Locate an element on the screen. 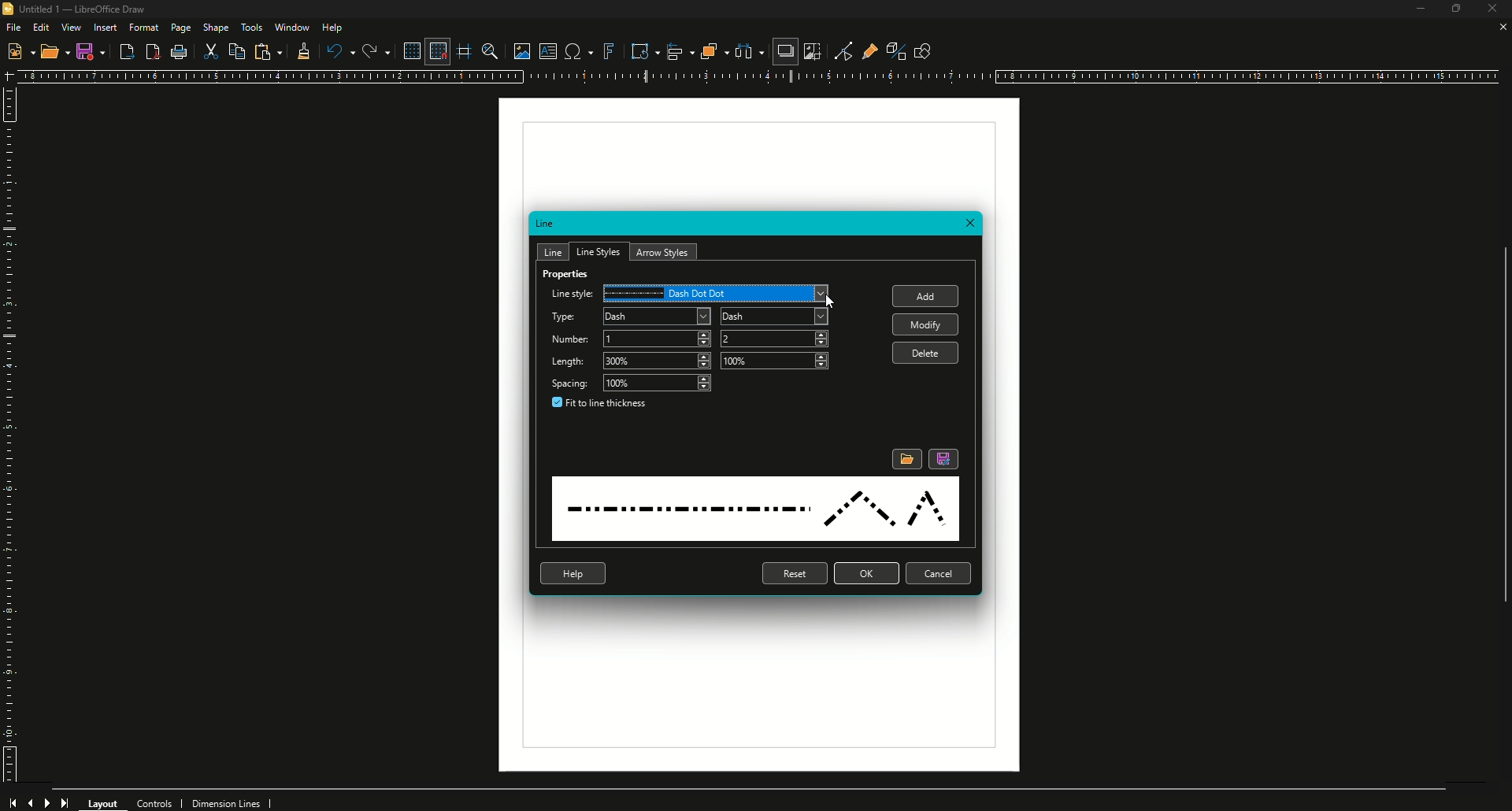  Close is located at coordinates (972, 224).